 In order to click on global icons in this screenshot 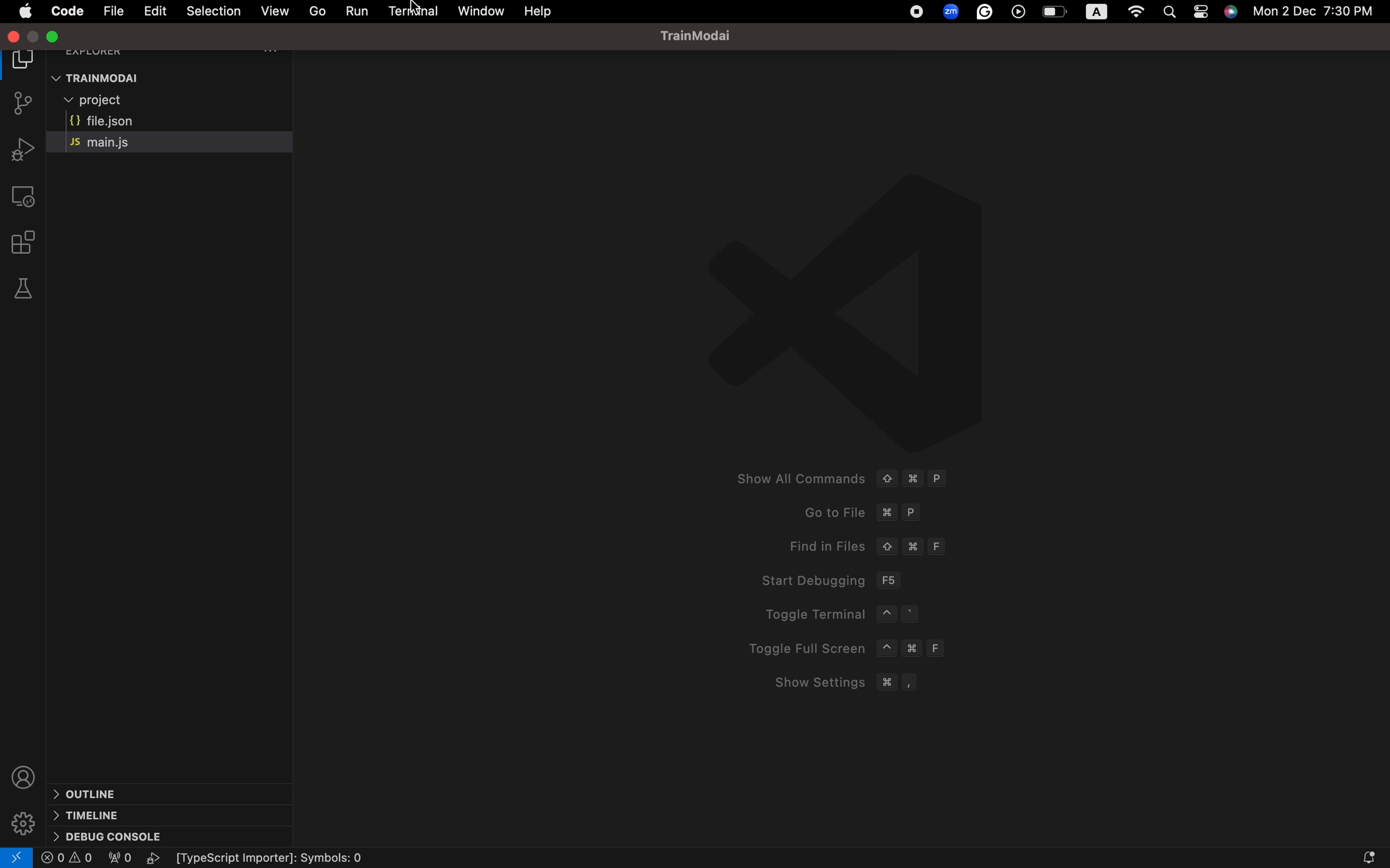, I will do `click(914, 13)`.